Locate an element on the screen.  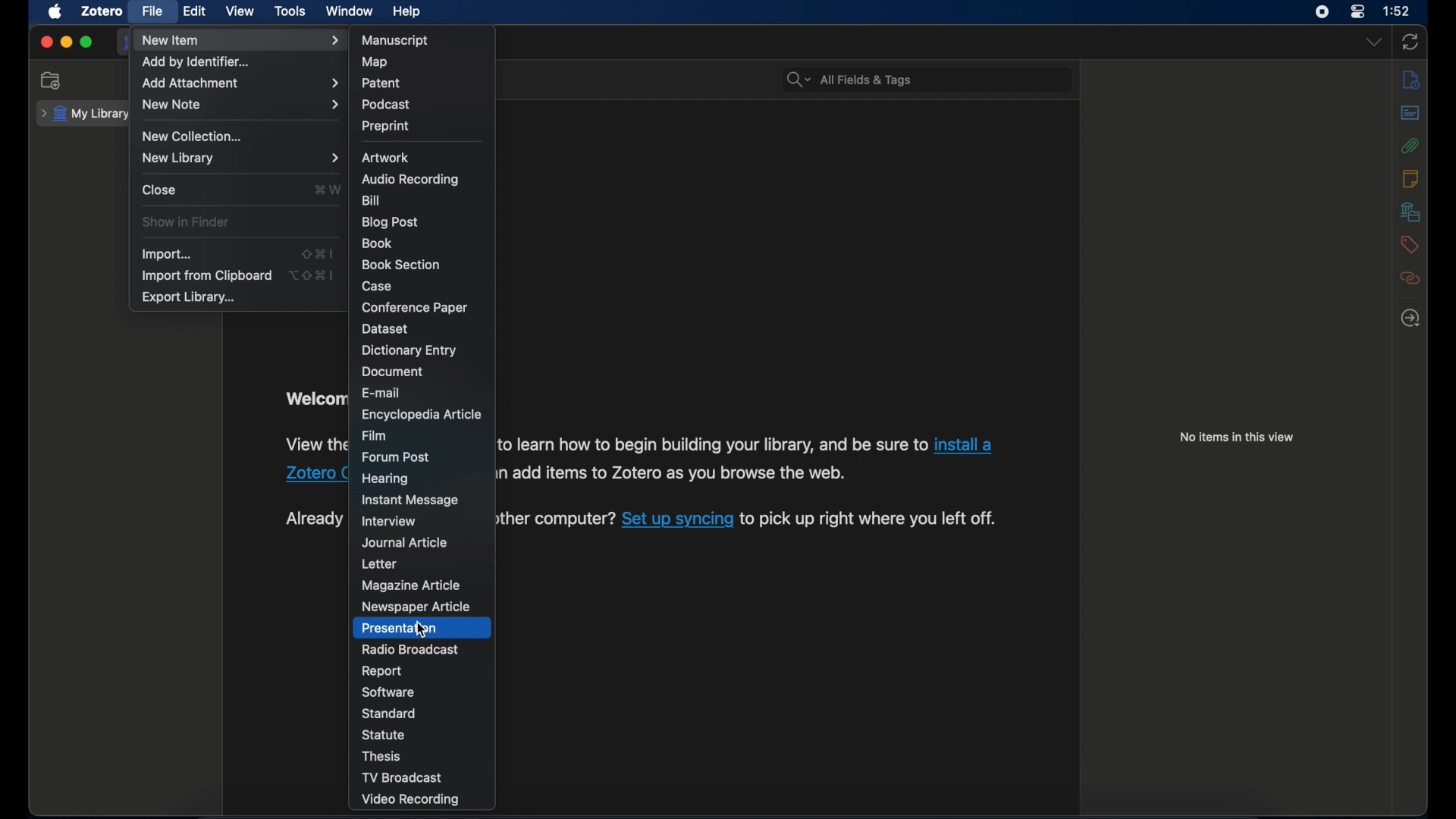
View the is located at coordinates (316, 441).